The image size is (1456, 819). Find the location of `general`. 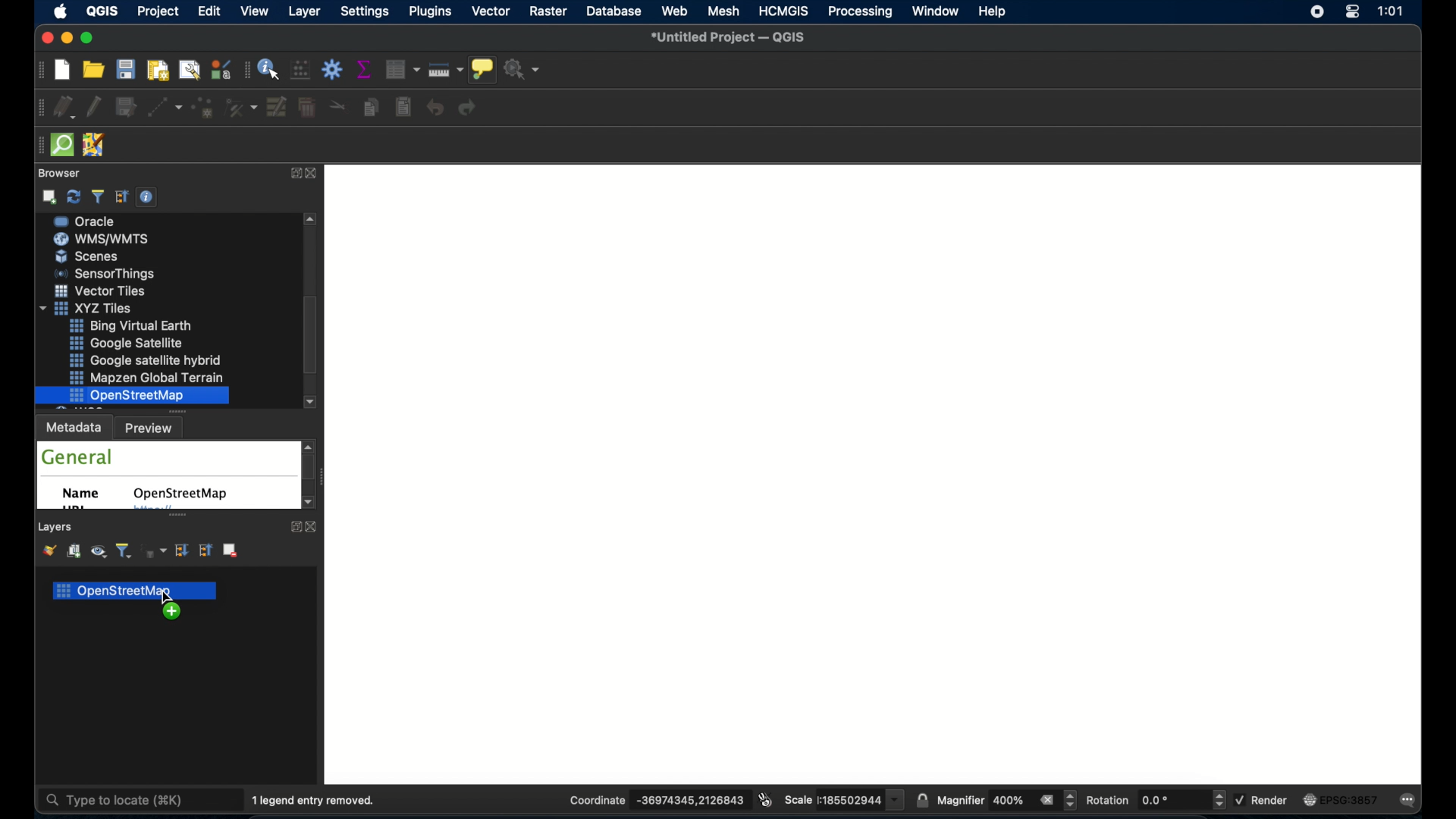

general is located at coordinates (77, 457).